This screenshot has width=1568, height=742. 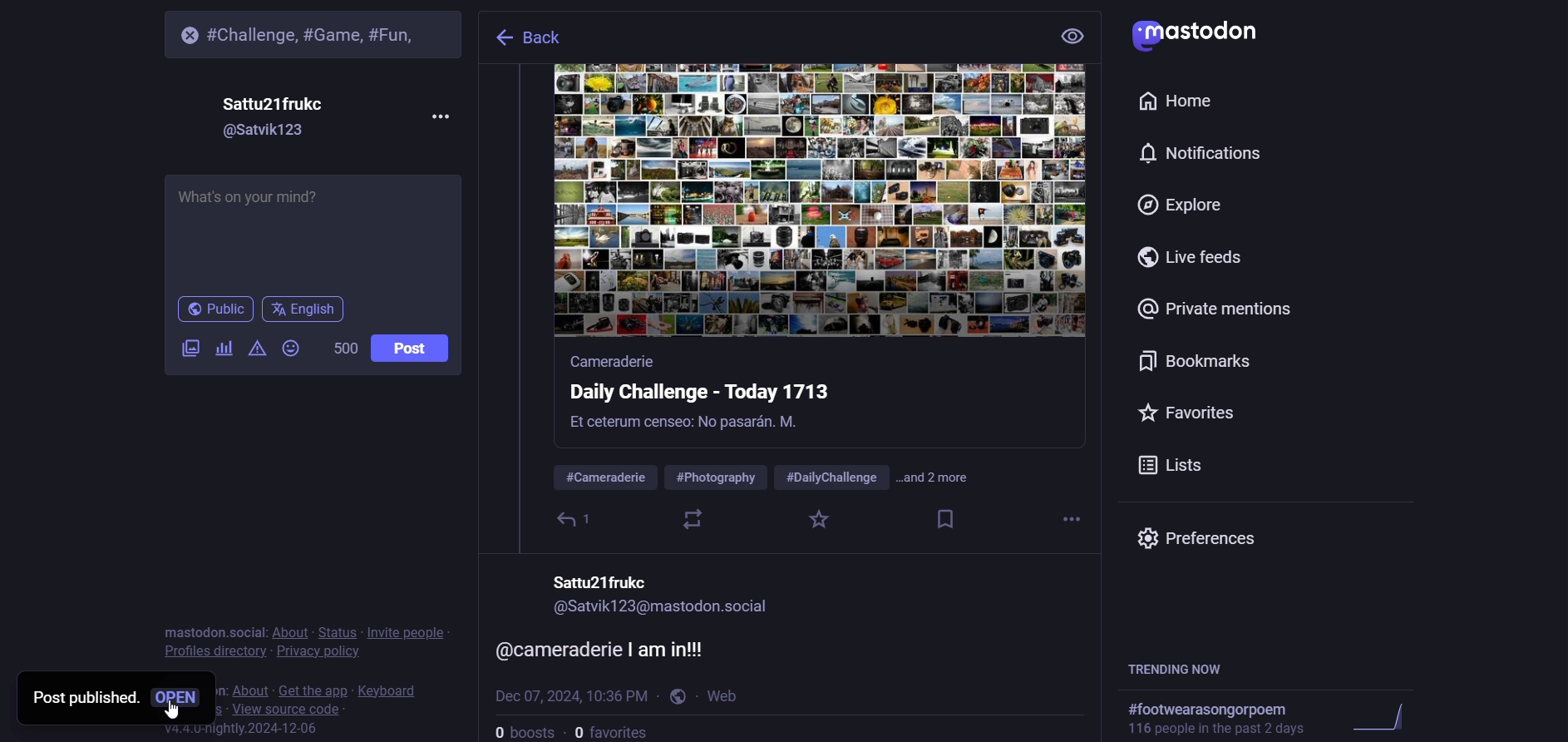 What do you see at coordinates (343, 349) in the screenshot?
I see `word limit` at bounding box center [343, 349].